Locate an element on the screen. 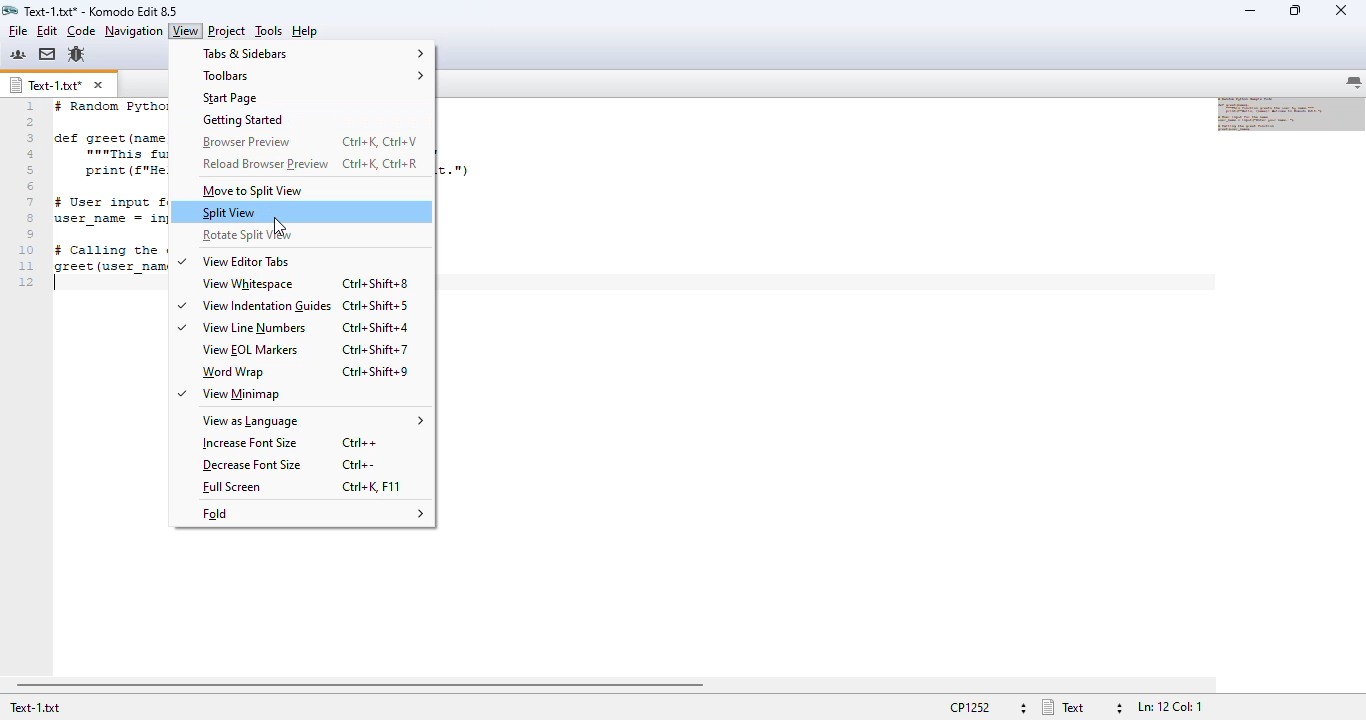 The height and width of the screenshot is (720, 1366). minimap is located at coordinates (1291, 113).